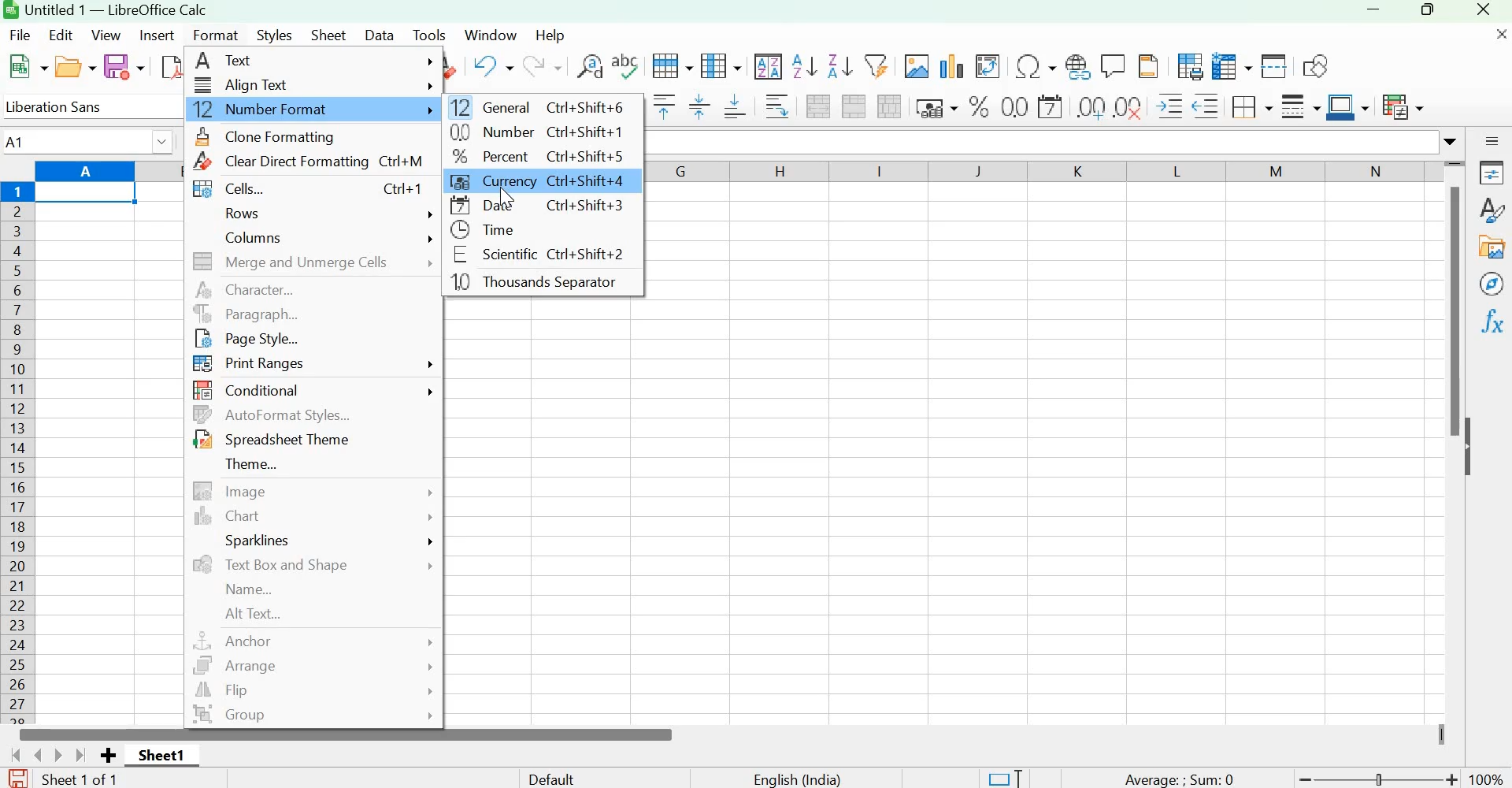  I want to click on Center vertically, so click(698, 107).